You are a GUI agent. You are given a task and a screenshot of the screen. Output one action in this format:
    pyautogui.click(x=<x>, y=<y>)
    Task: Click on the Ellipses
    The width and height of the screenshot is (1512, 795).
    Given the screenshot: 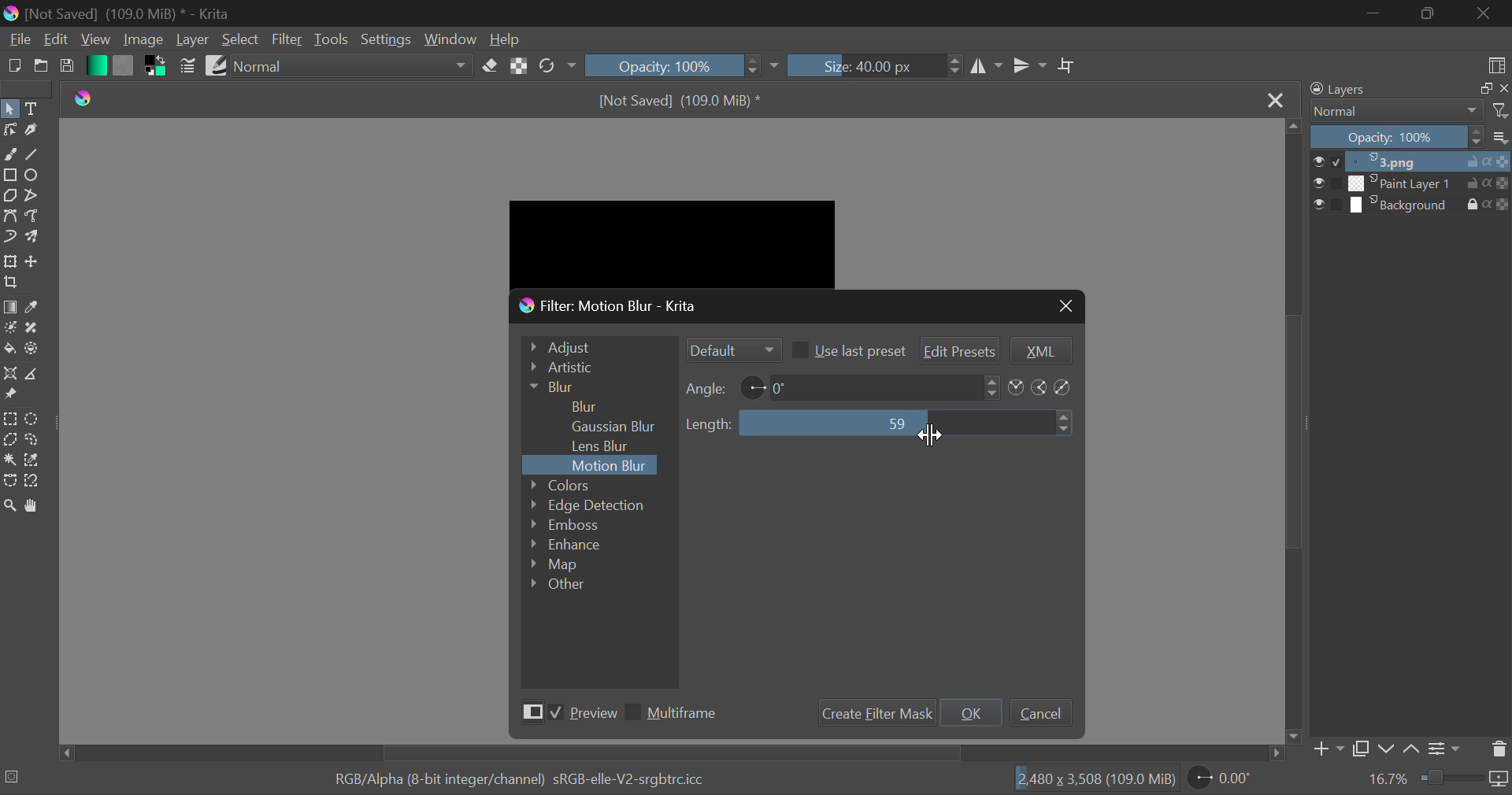 What is the action you would take?
    pyautogui.click(x=34, y=176)
    